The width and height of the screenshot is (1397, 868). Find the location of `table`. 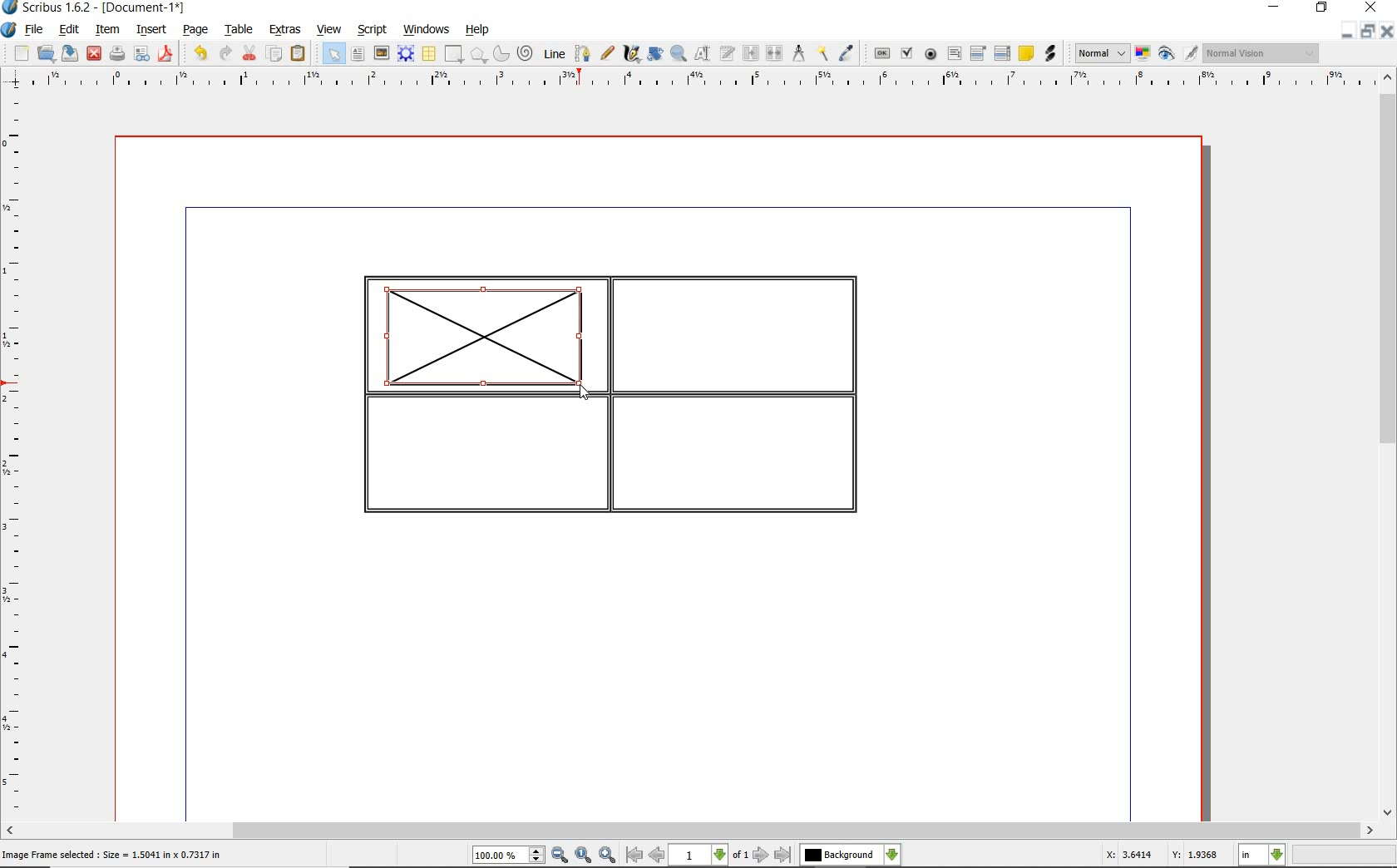

table is located at coordinates (430, 55).